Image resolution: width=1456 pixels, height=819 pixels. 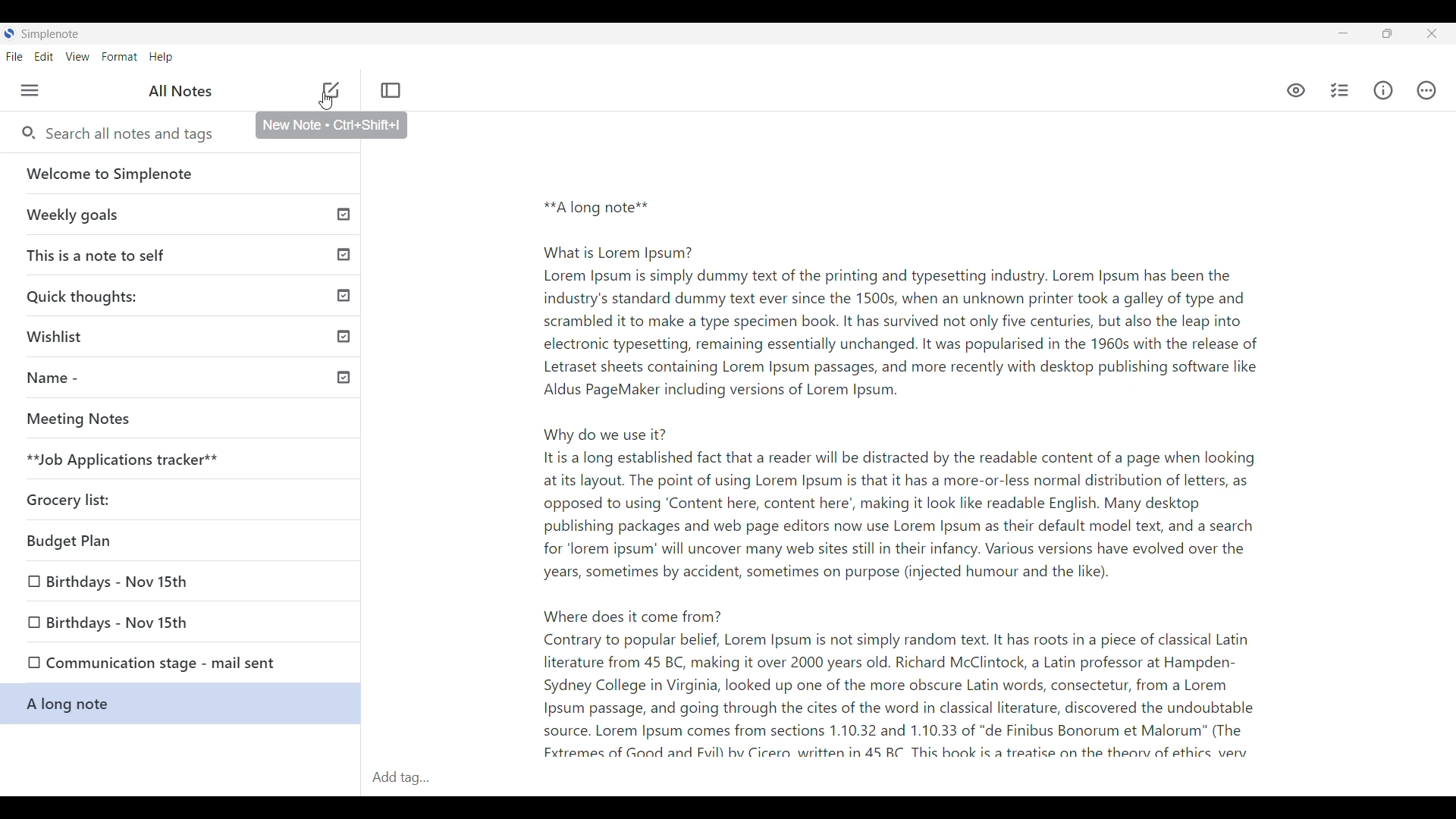 I want to click on add note, so click(x=325, y=87).